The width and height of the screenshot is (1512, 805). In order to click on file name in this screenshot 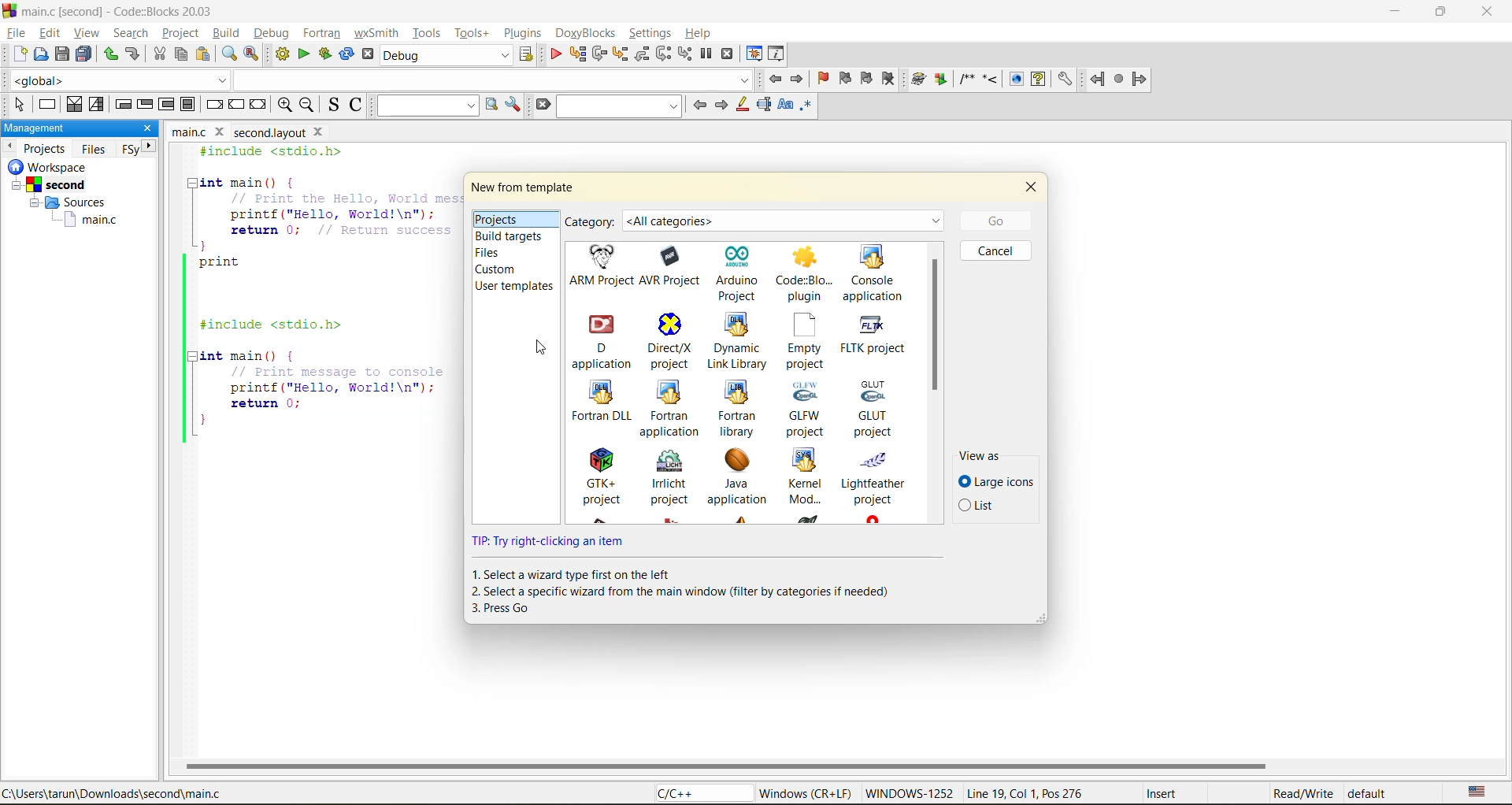, I will do `click(251, 132)`.